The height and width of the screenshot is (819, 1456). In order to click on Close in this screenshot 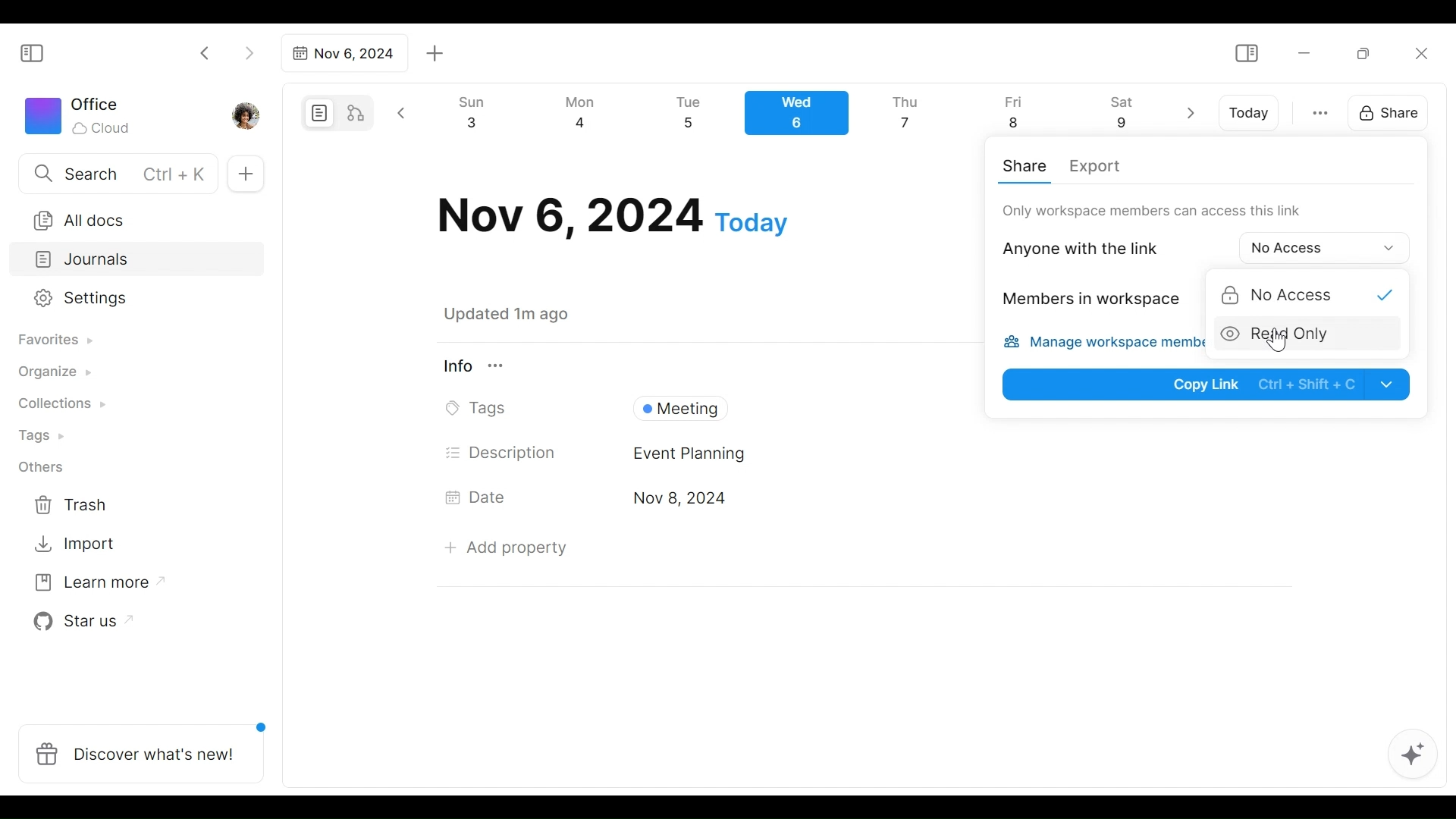, I will do `click(1420, 53)`.